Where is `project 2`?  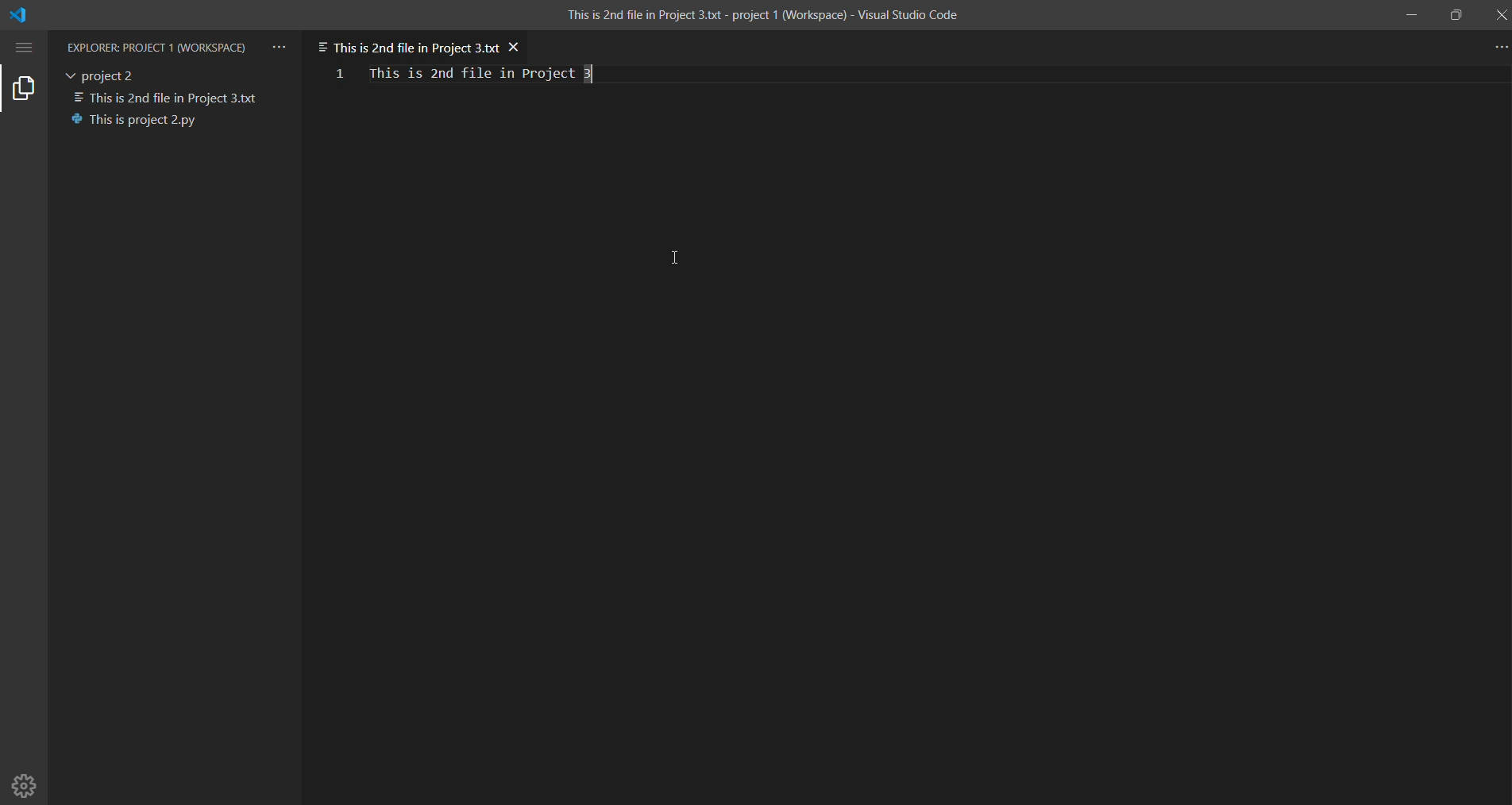 project 2 is located at coordinates (106, 73).